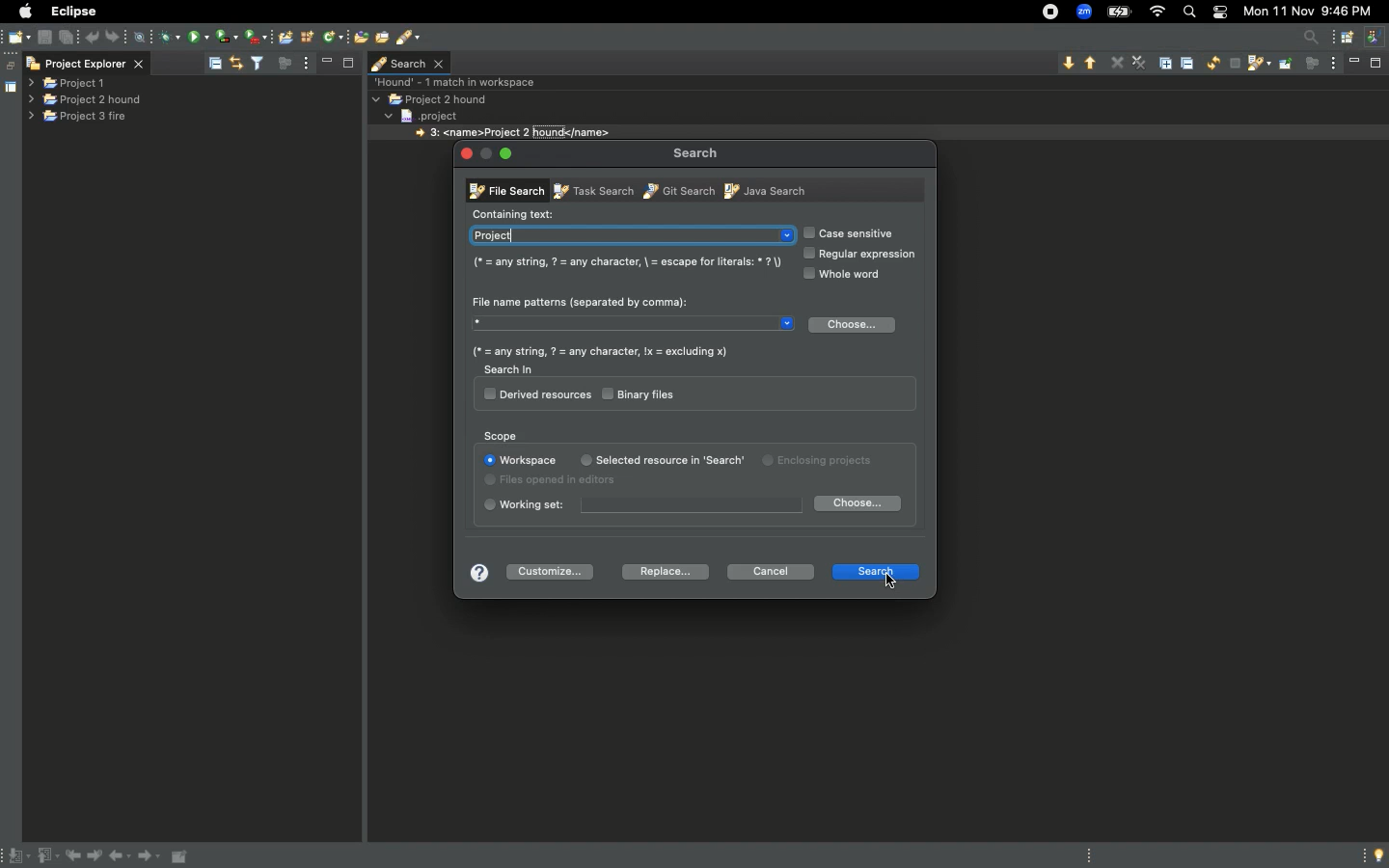 This screenshot has height=868, width=1389. What do you see at coordinates (631, 234) in the screenshot?
I see `Project` at bounding box center [631, 234].